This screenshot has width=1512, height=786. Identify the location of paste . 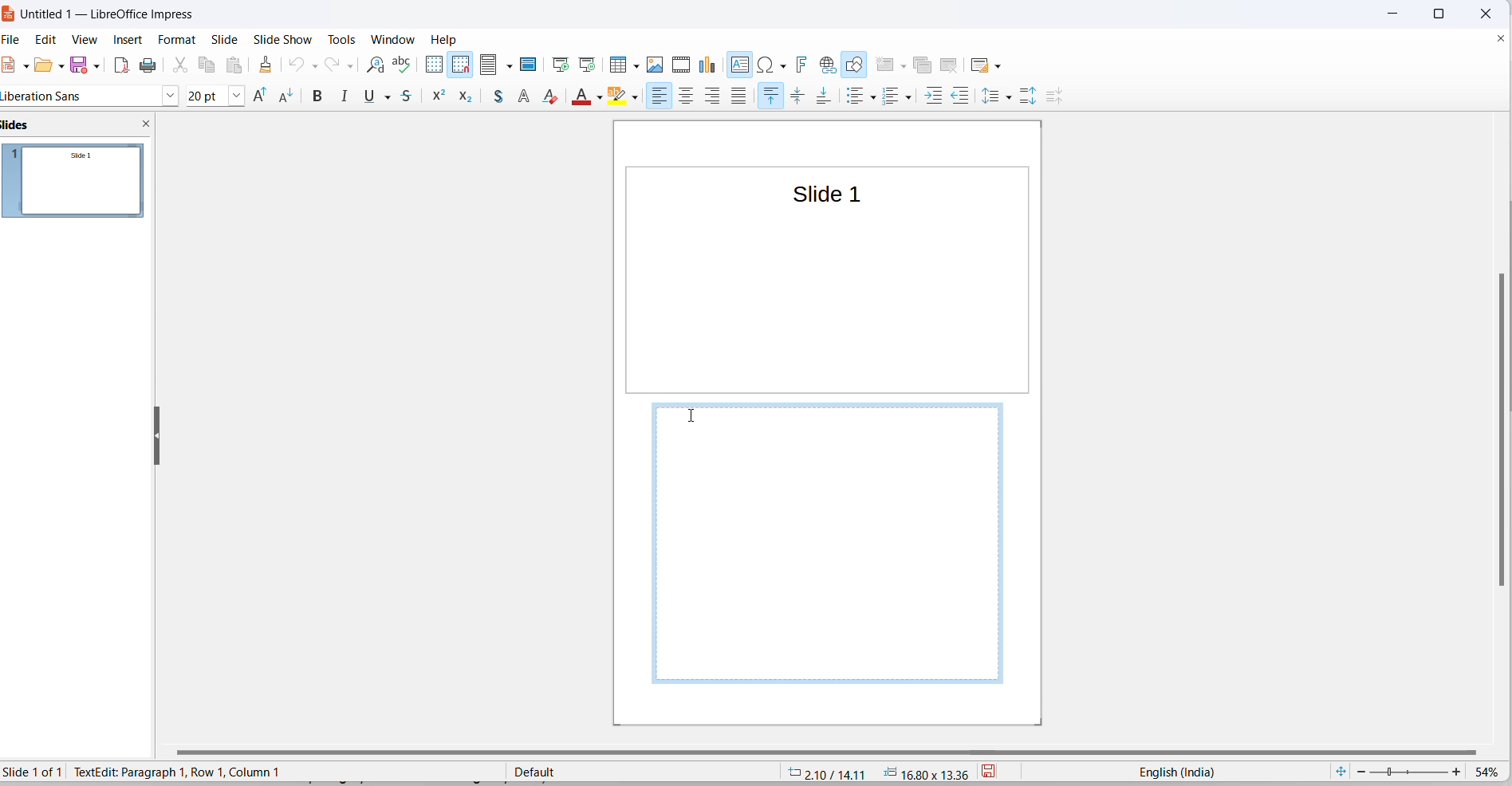
(238, 65).